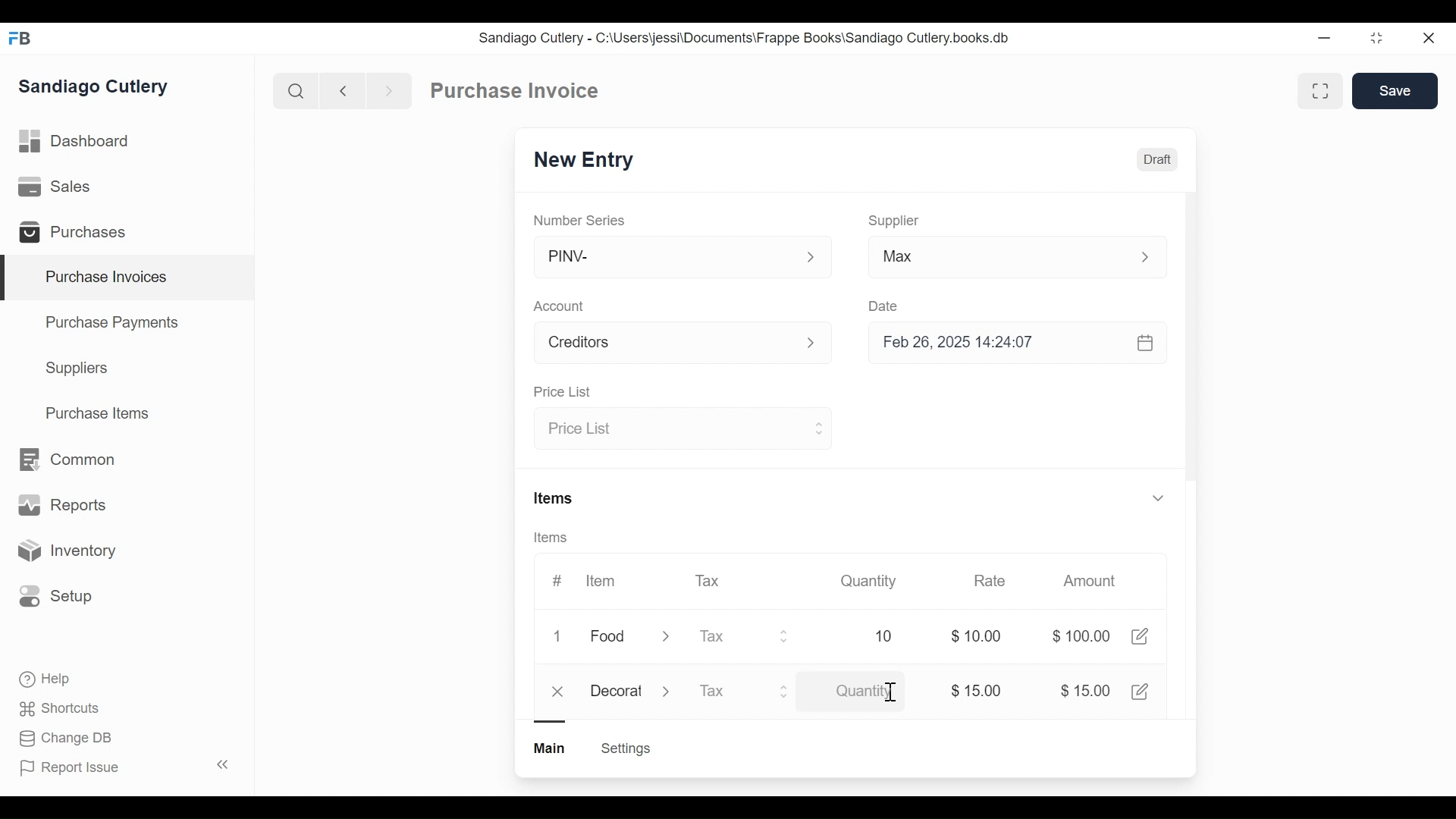  I want to click on Rate, so click(988, 581).